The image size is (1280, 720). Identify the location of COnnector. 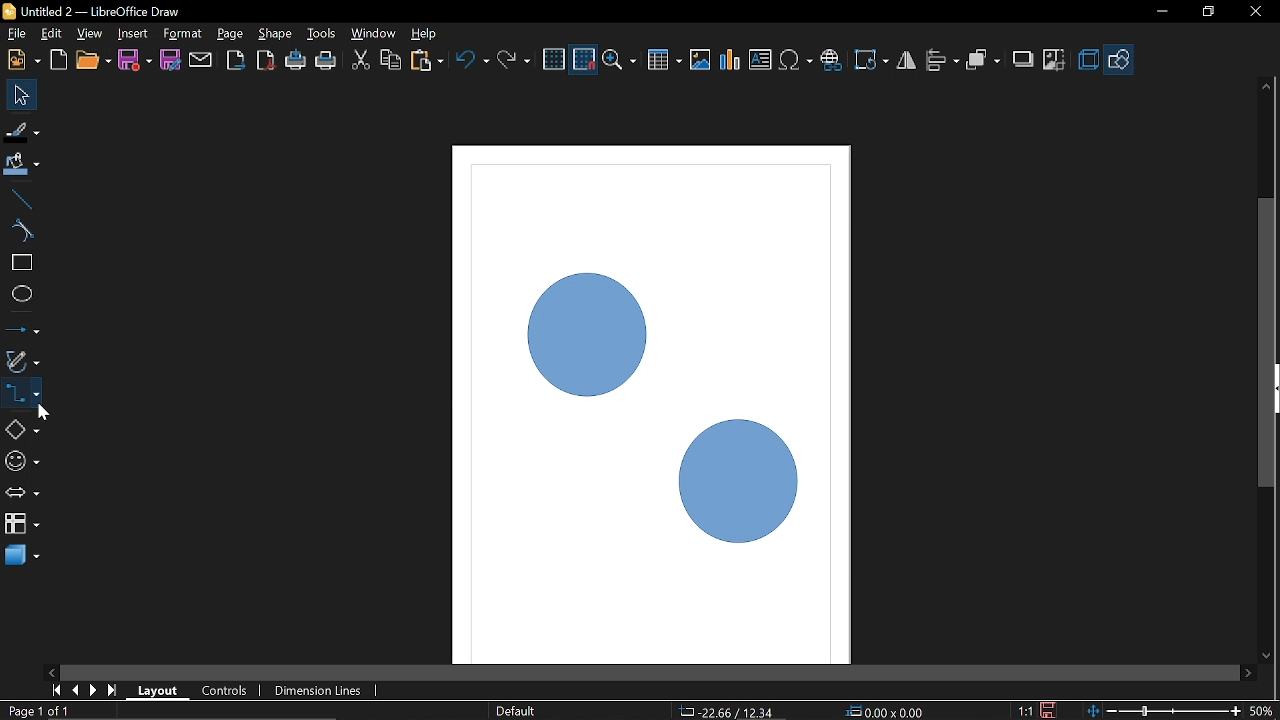
(21, 393).